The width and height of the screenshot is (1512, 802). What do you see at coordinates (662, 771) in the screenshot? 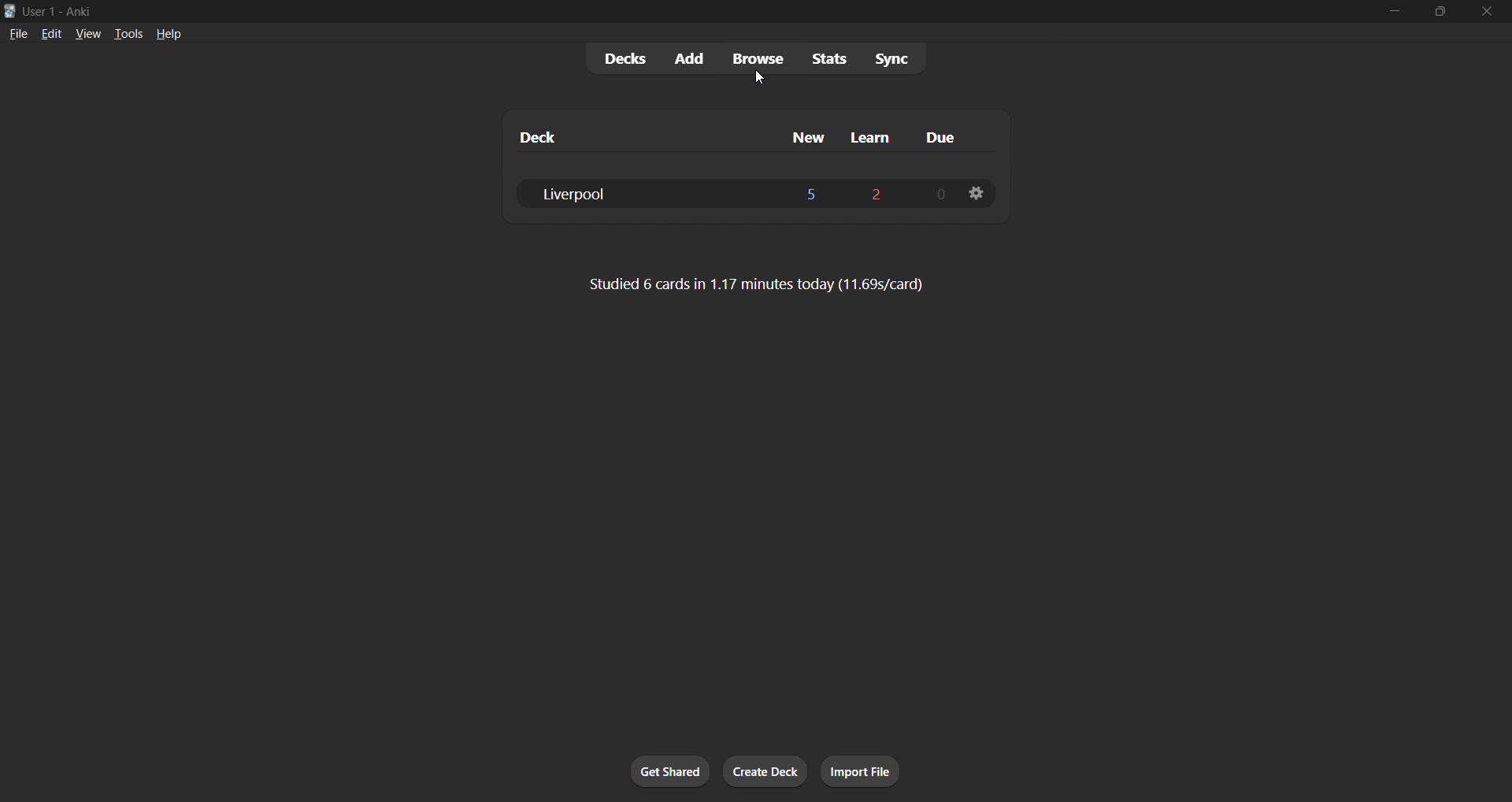
I see `get shared` at bounding box center [662, 771].